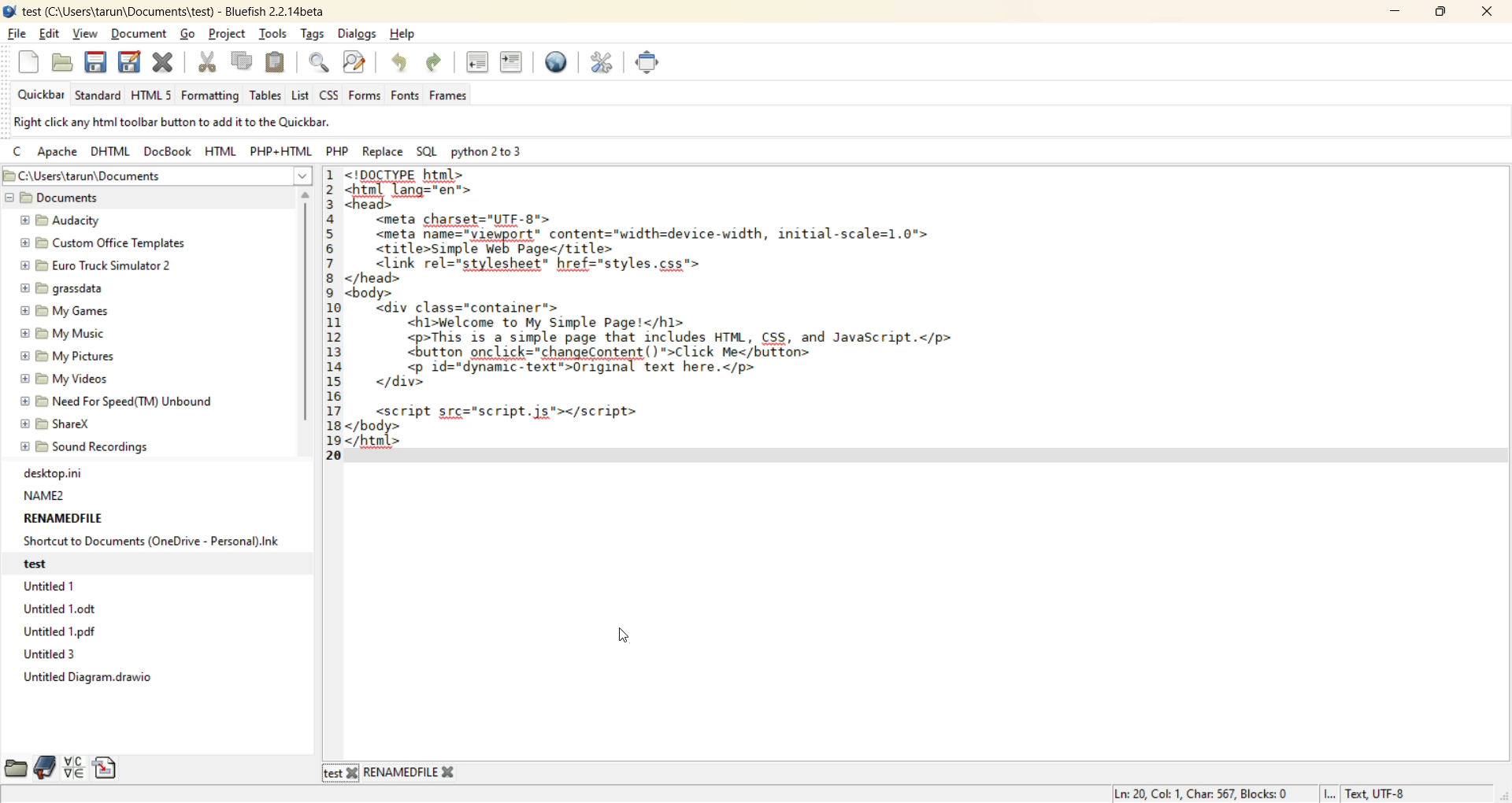 Image resolution: width=1512 pixels, height=803 pixels. What do you see at coordinates (220, 153) in the screenshot?
I see `html` at bounding box center [220, 153].